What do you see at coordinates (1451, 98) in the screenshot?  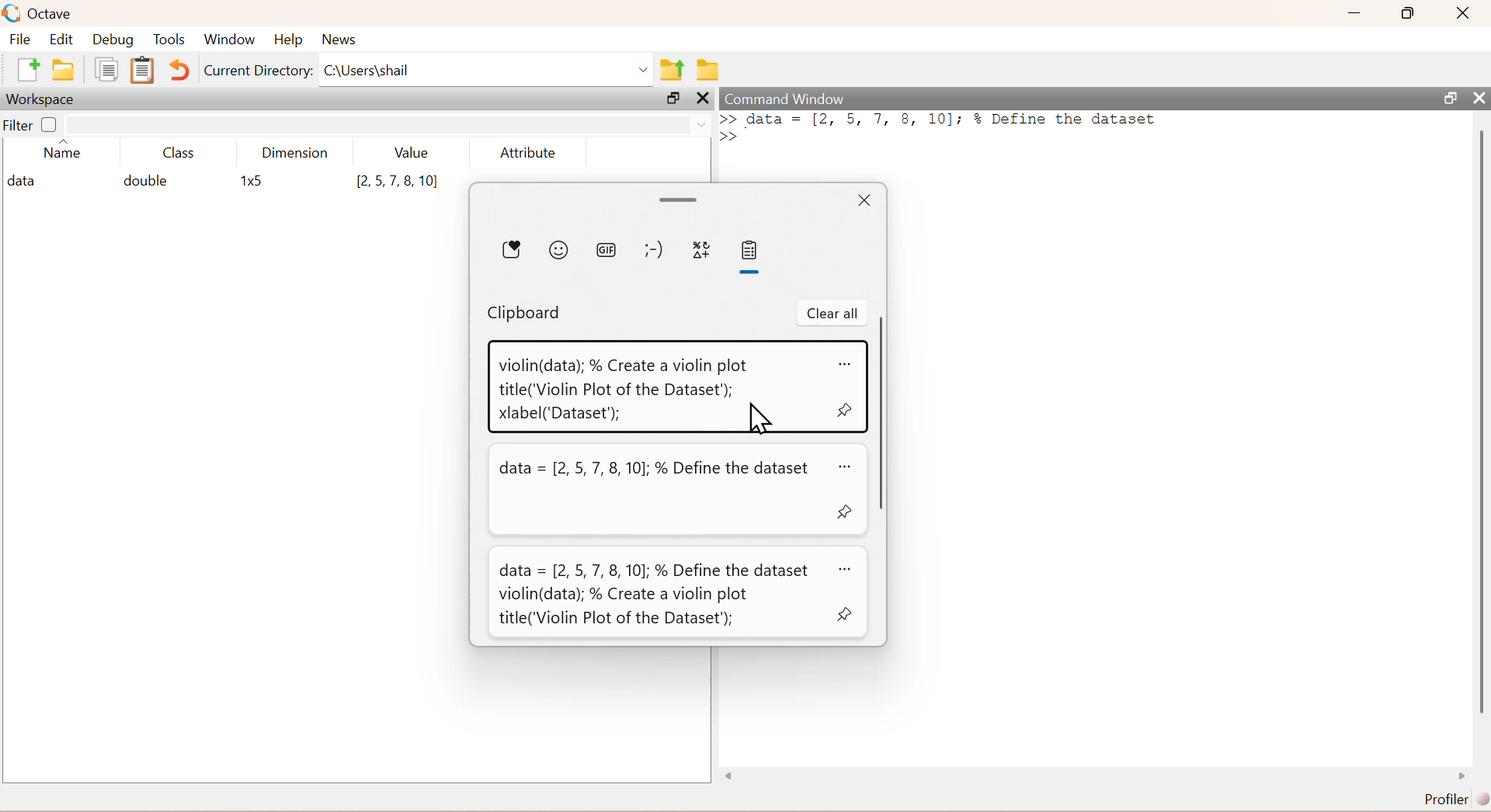 I see `open in separate window` at bounding box center [1451, 98].